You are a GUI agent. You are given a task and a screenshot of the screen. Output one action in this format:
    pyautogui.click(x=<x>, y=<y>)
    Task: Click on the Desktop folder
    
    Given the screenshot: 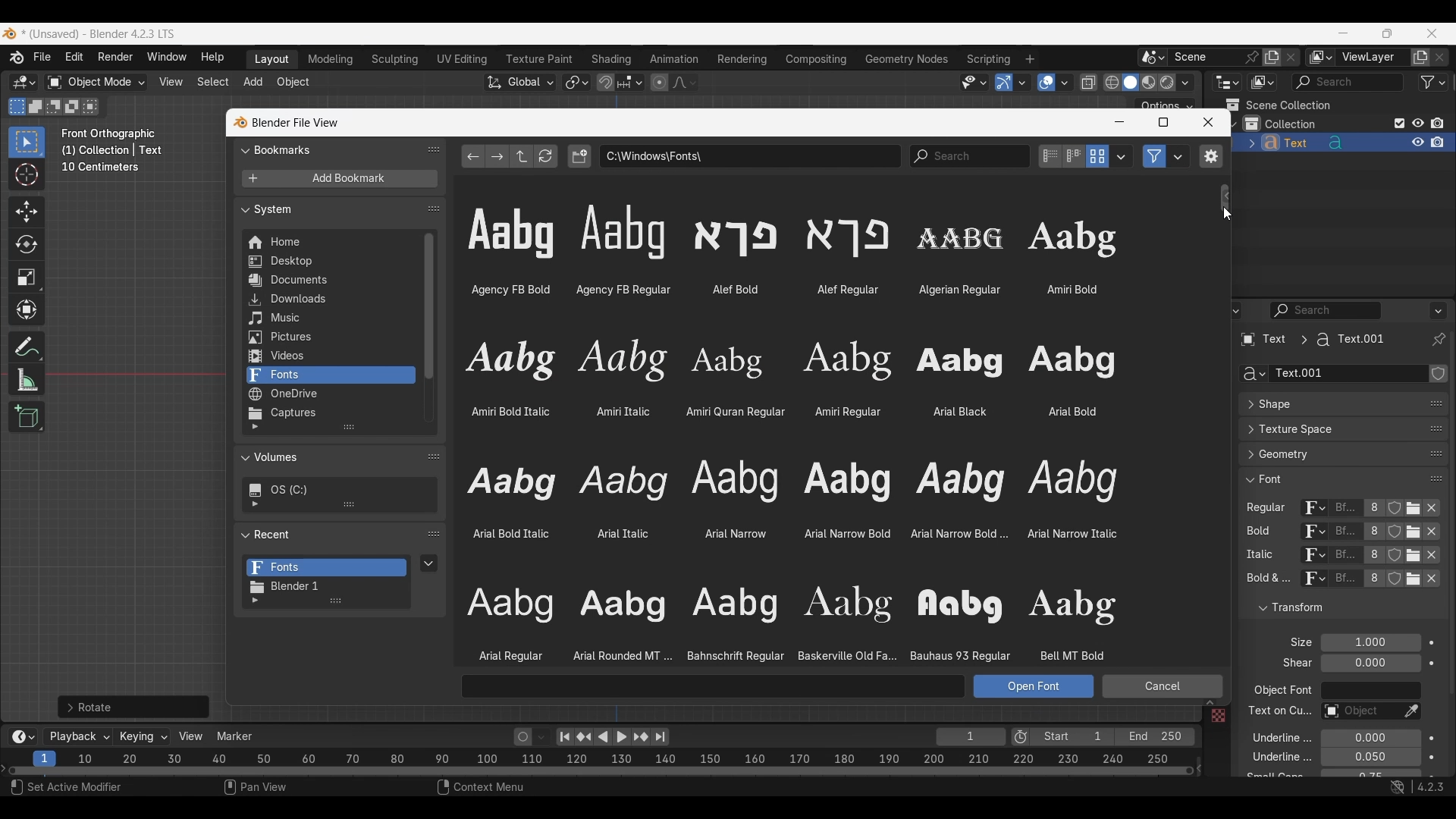 What is the action you would take?
    pyautogui.click(x=329, y=262)
    